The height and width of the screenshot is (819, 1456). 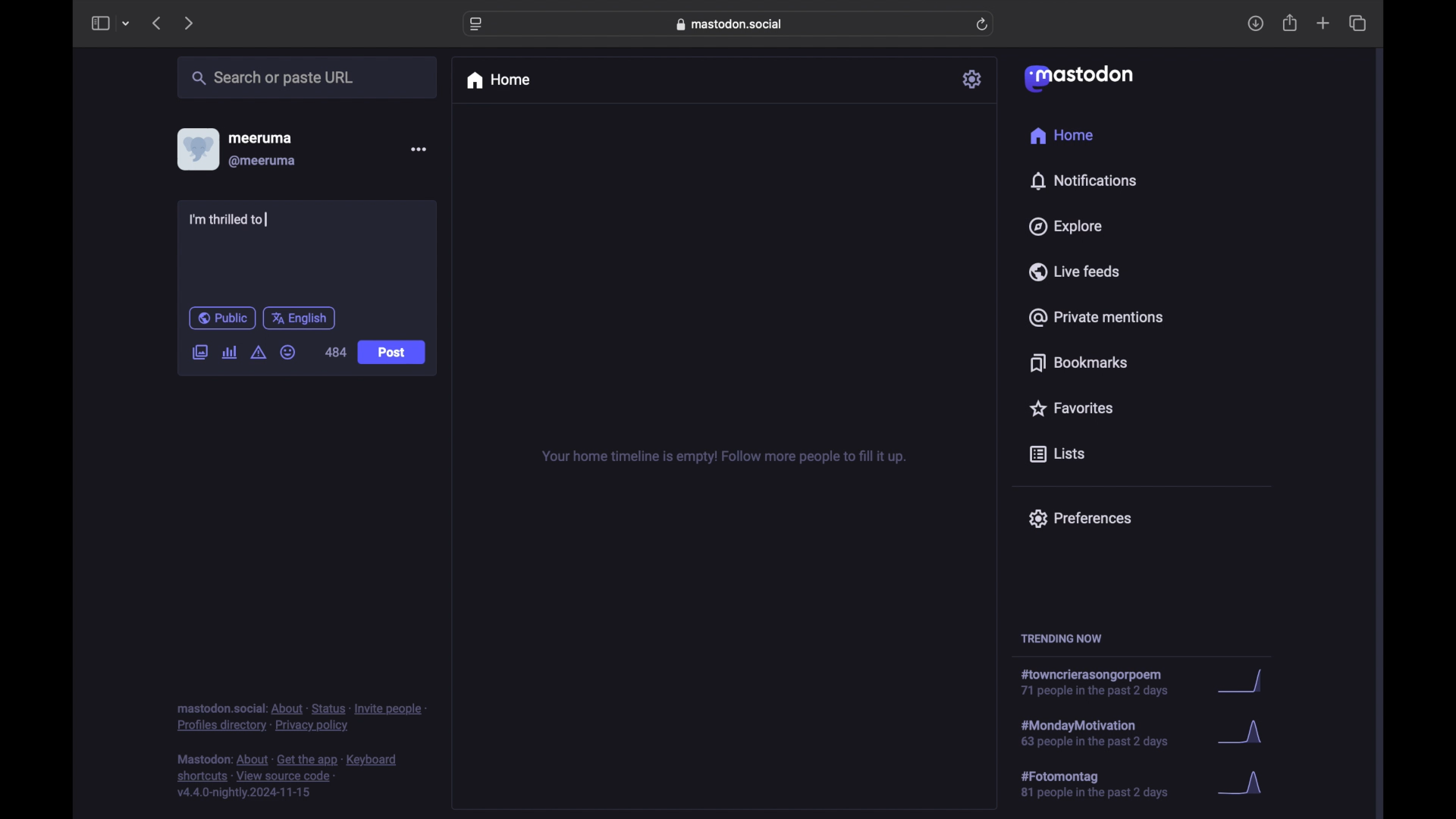 I want to click on live feeds, so click(x=1073, y=271).